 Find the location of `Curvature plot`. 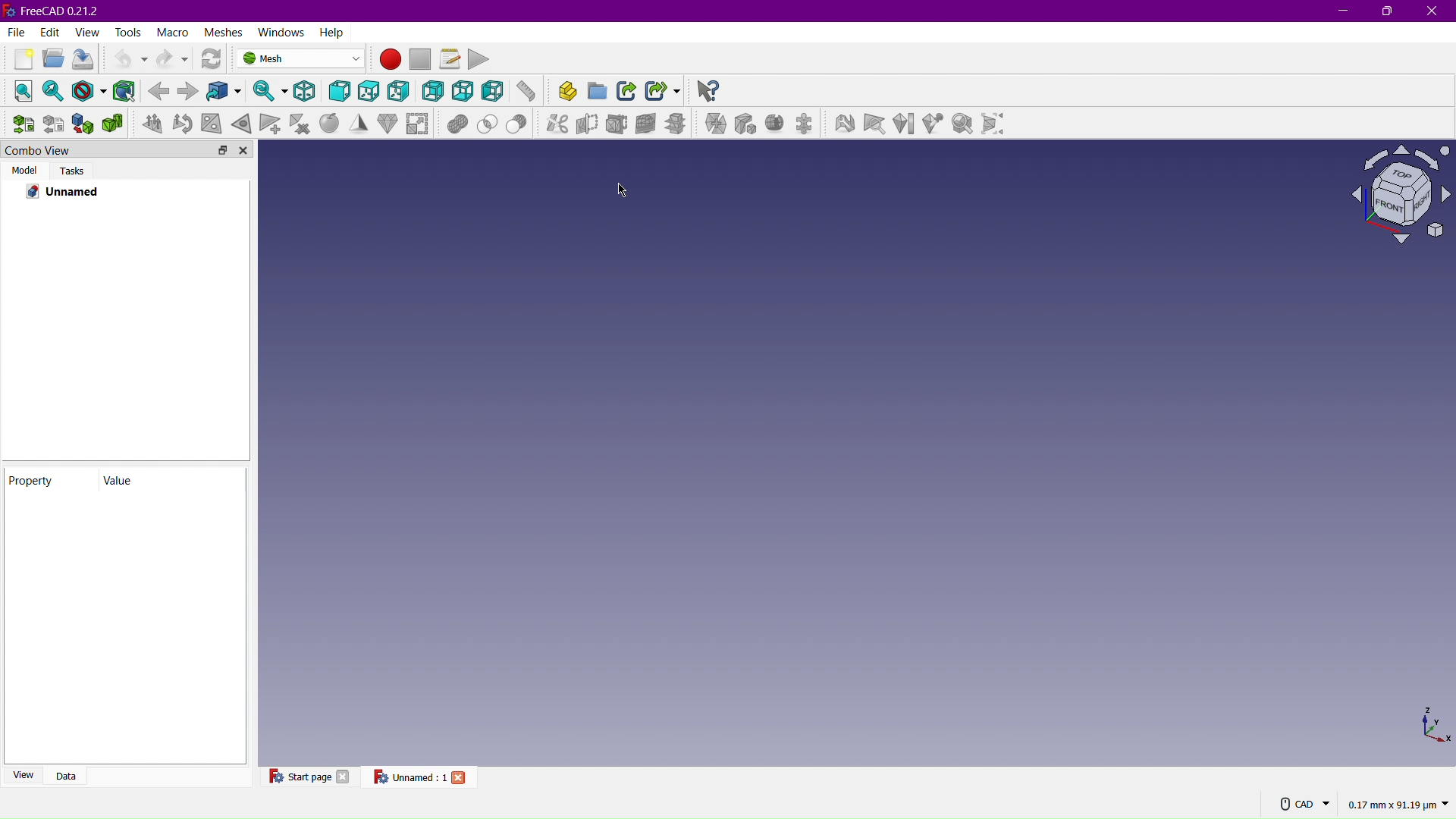

Curvature plot is located at coordinates (906, 126).